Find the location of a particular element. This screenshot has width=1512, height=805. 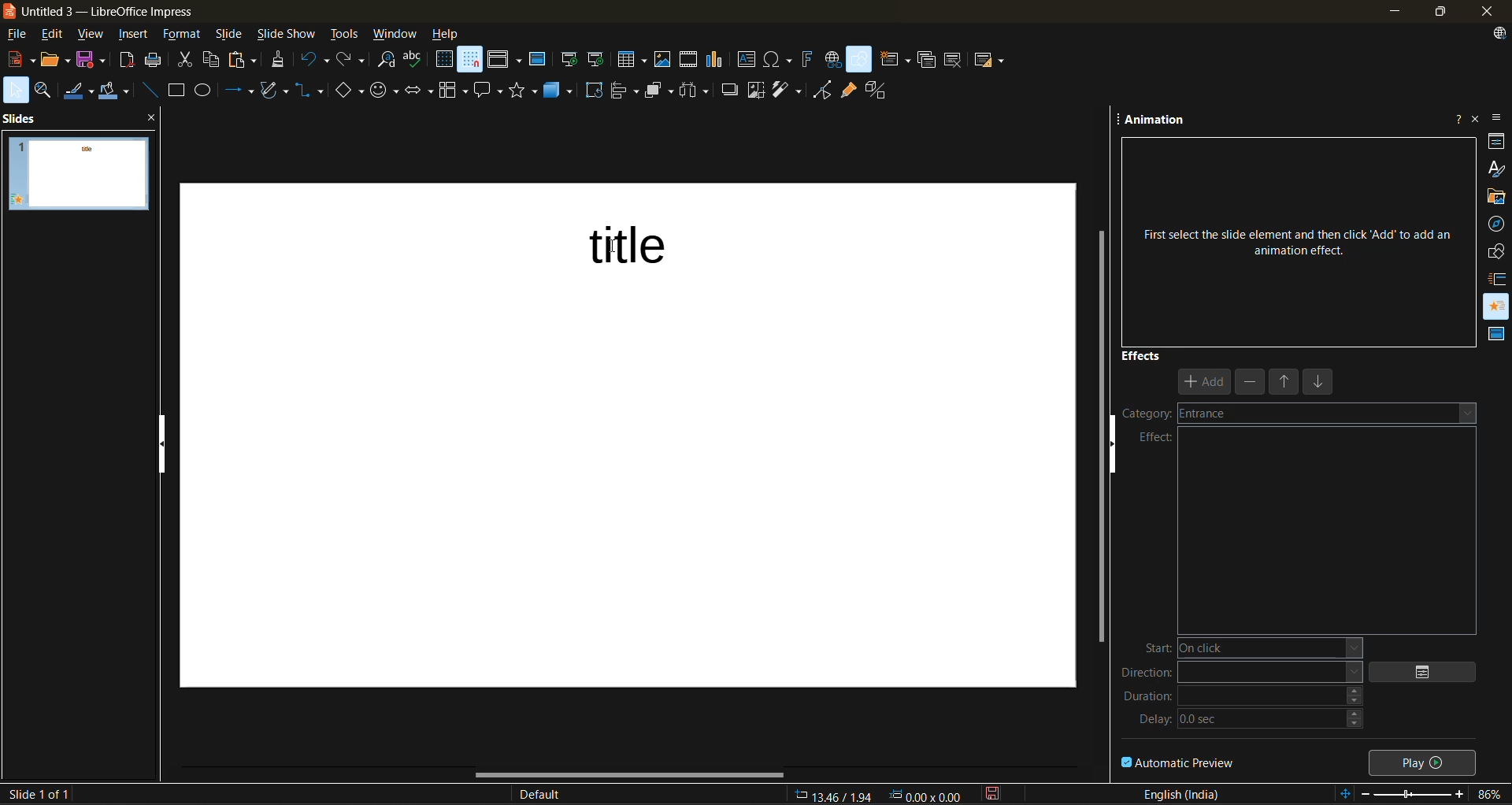

flowchart is located at coordinates (454, 93).